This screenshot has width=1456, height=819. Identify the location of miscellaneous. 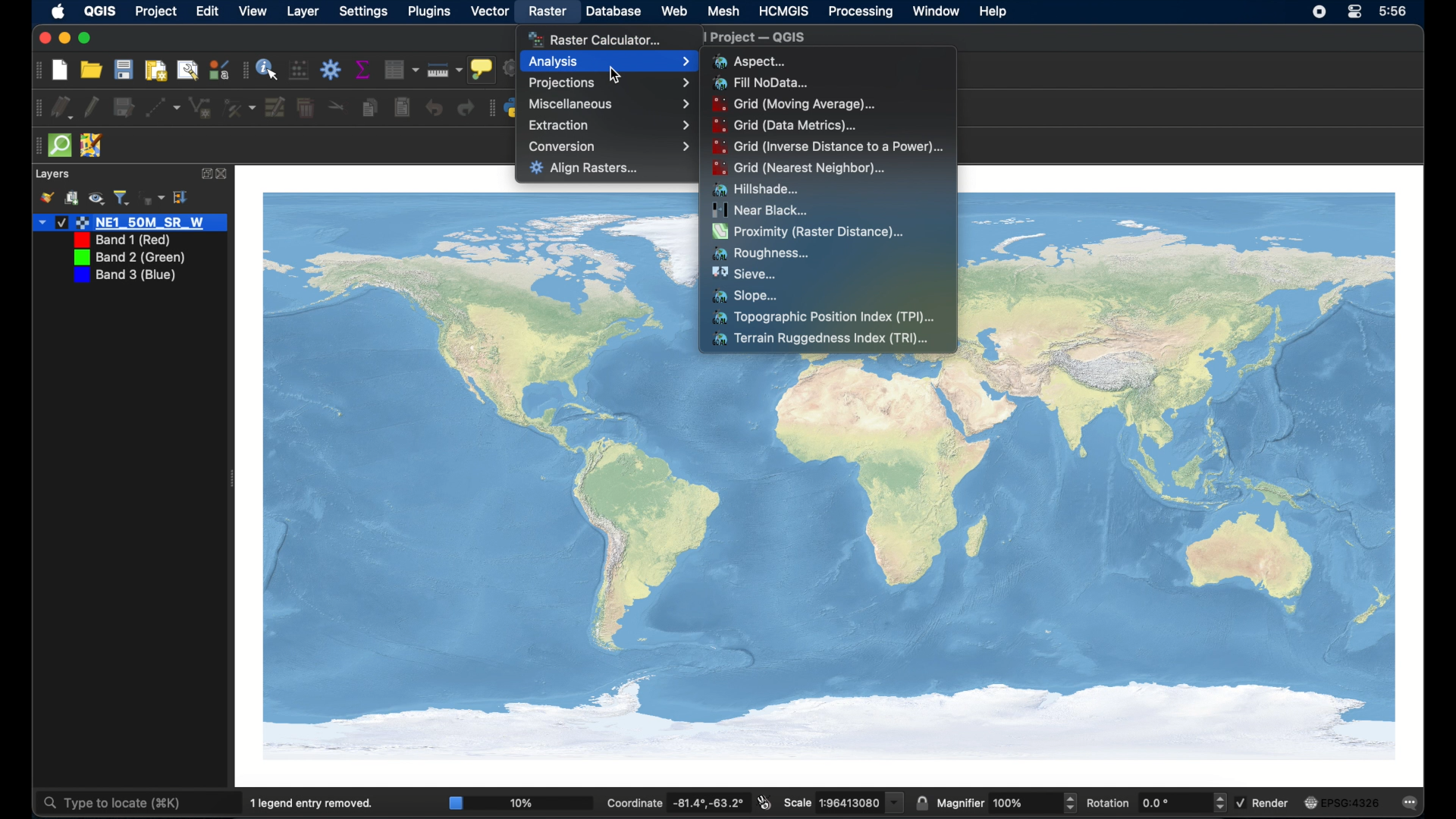
(609, 103).